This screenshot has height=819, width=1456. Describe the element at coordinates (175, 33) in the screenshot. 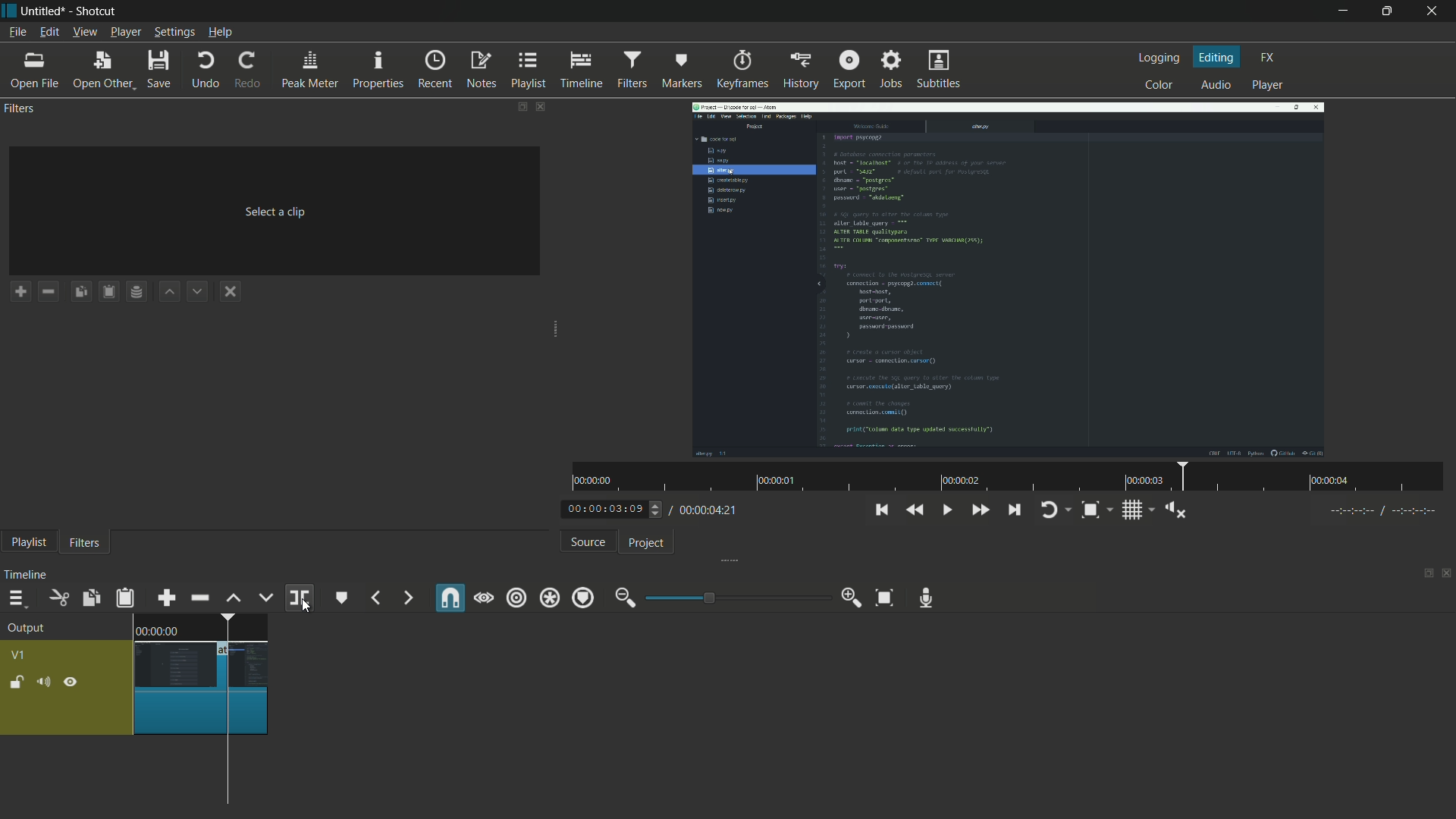

I see `settings menu` at that location.